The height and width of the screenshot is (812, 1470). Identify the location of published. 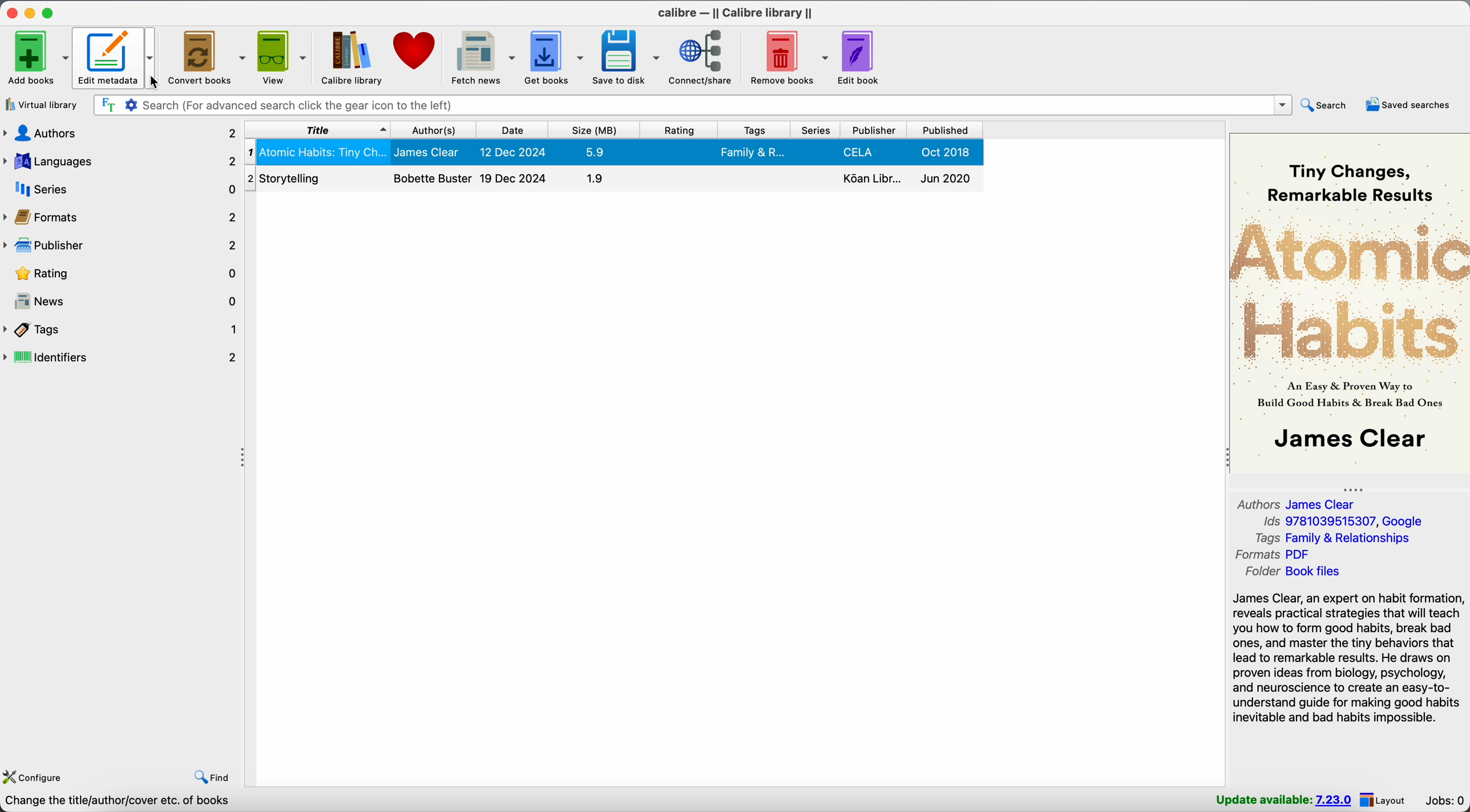
(947, 130).